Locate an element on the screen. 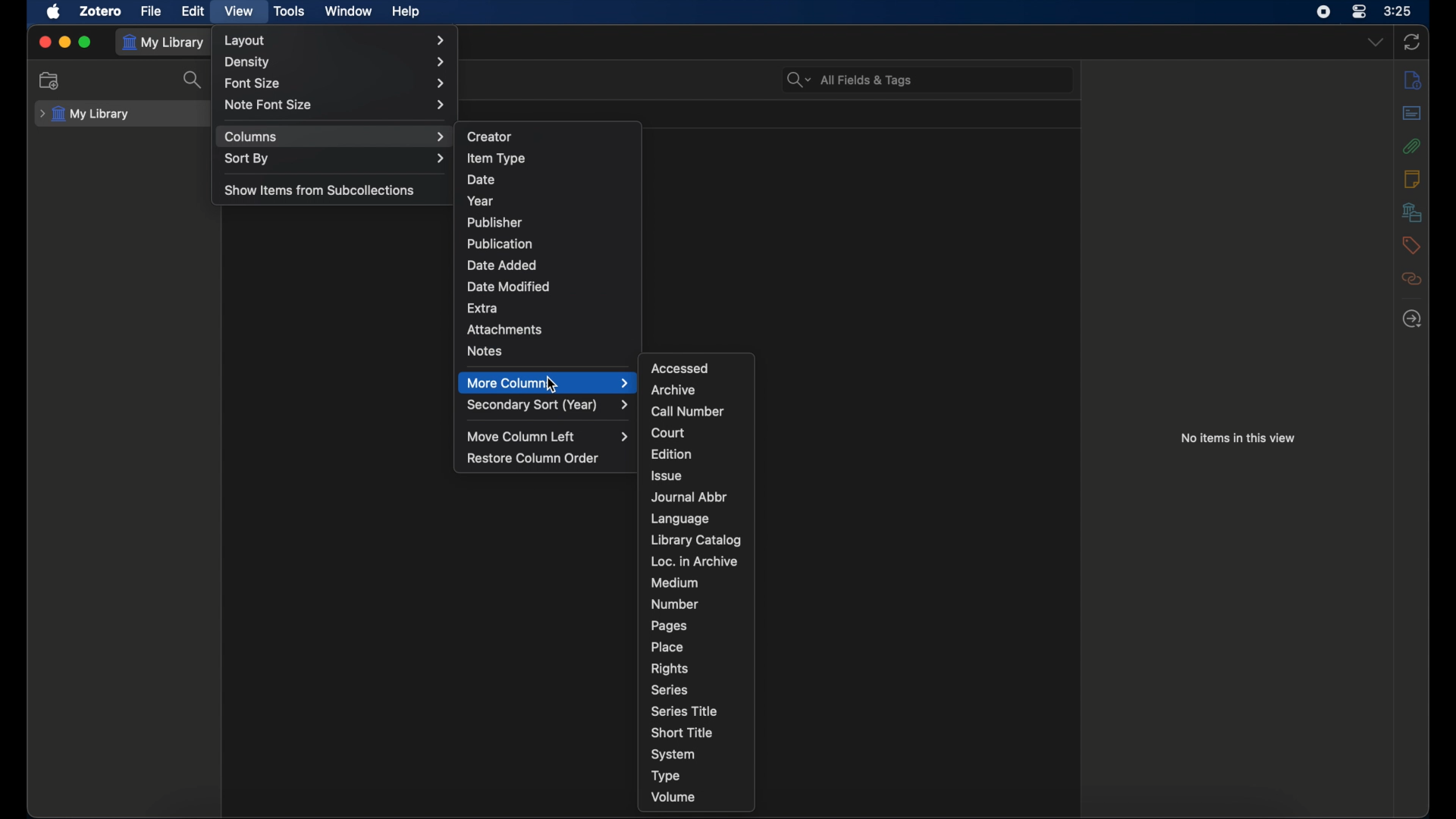  type is located at coordinates (665, 777).